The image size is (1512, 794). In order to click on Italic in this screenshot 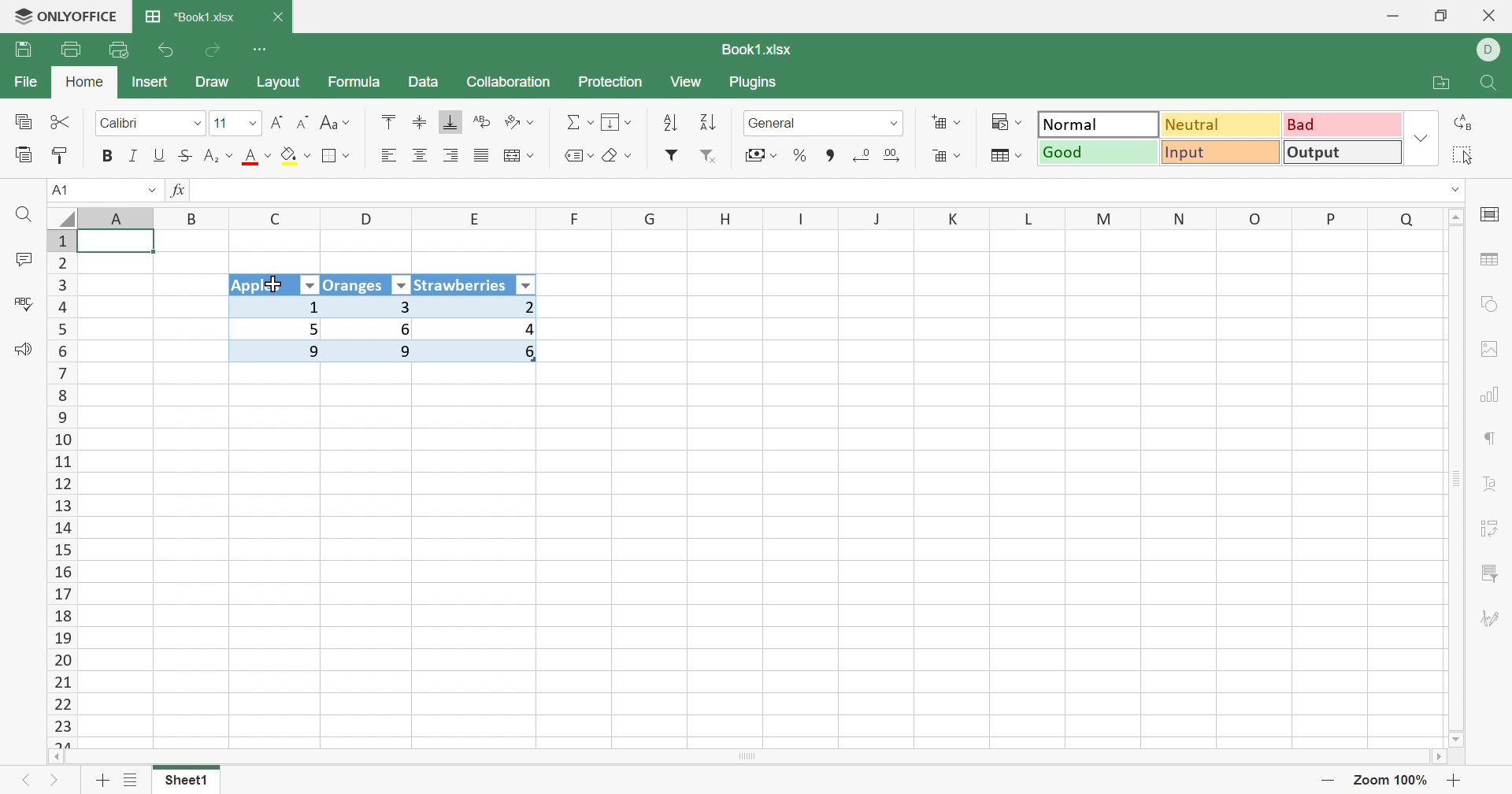, I will do `click(132, 156)`.